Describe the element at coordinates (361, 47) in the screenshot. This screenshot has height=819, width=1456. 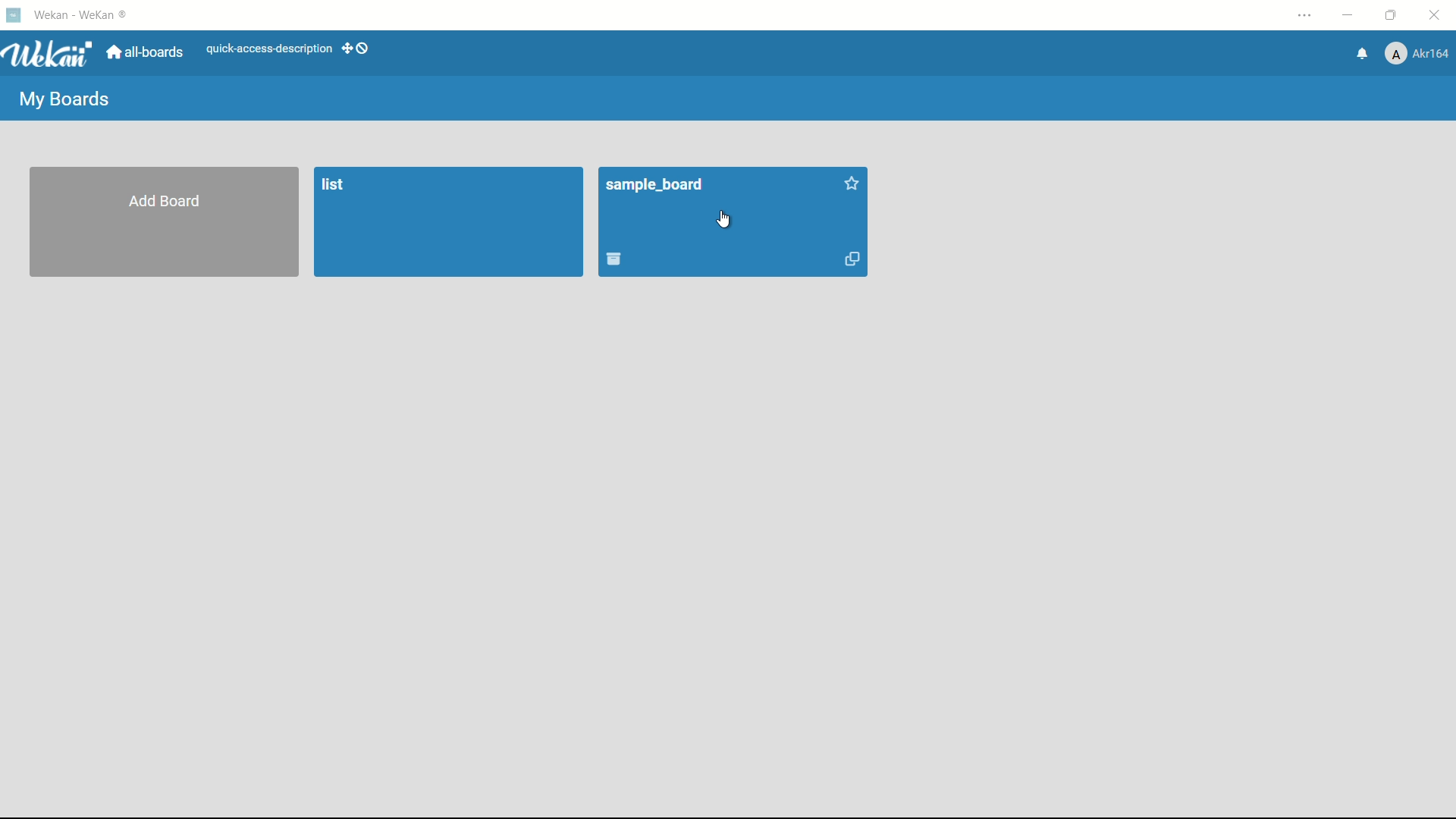
I see `show-desktop-drag-handles` at that location.